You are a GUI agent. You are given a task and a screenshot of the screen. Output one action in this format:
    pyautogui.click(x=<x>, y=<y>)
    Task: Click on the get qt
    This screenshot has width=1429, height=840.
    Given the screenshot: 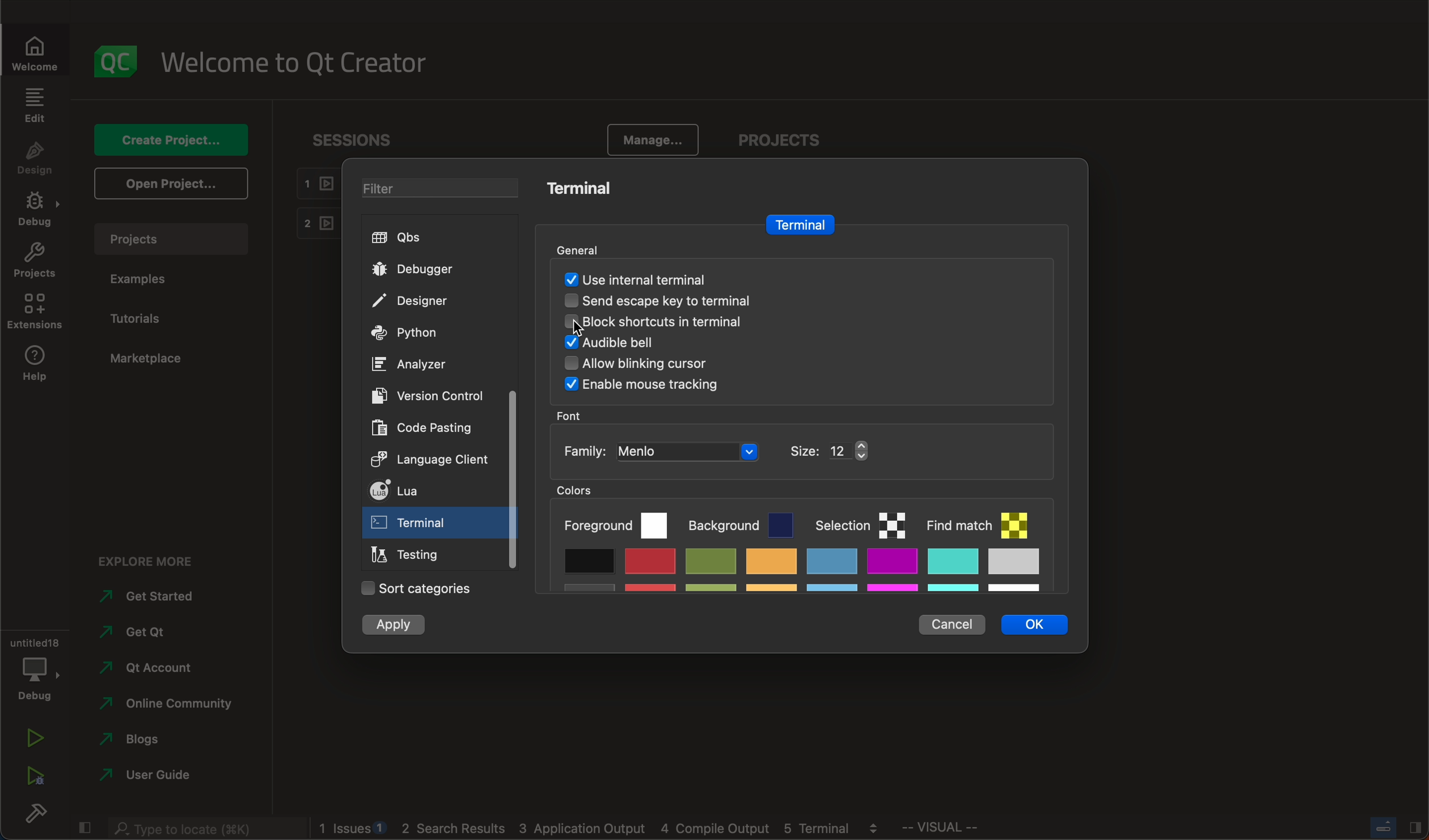 What is the action you would take?
    pyautogui.click(x=164, y=632)
    